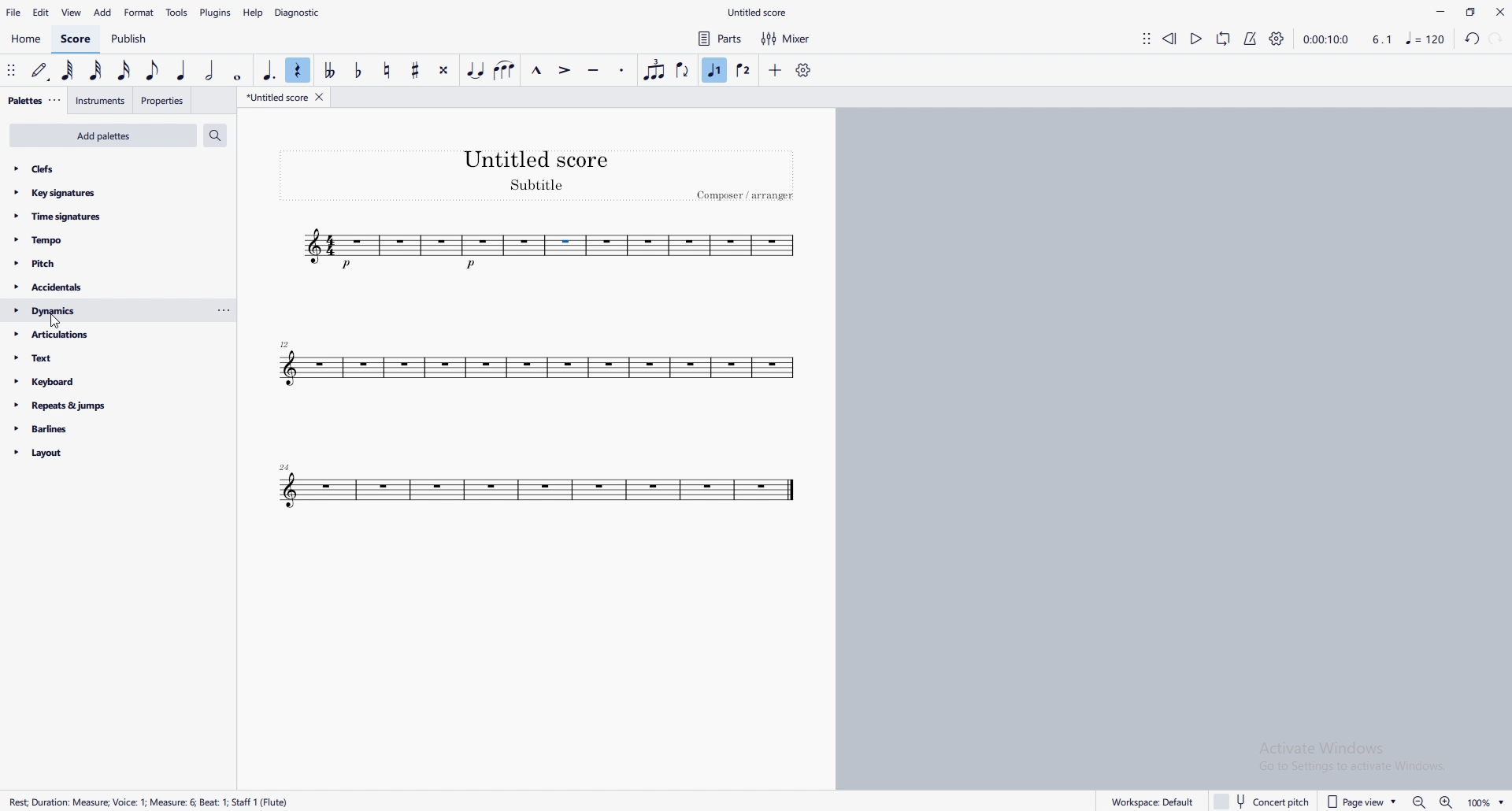  Describe the element at coordinates (102, 334) in the screenshot. I see `articulations` at that location.